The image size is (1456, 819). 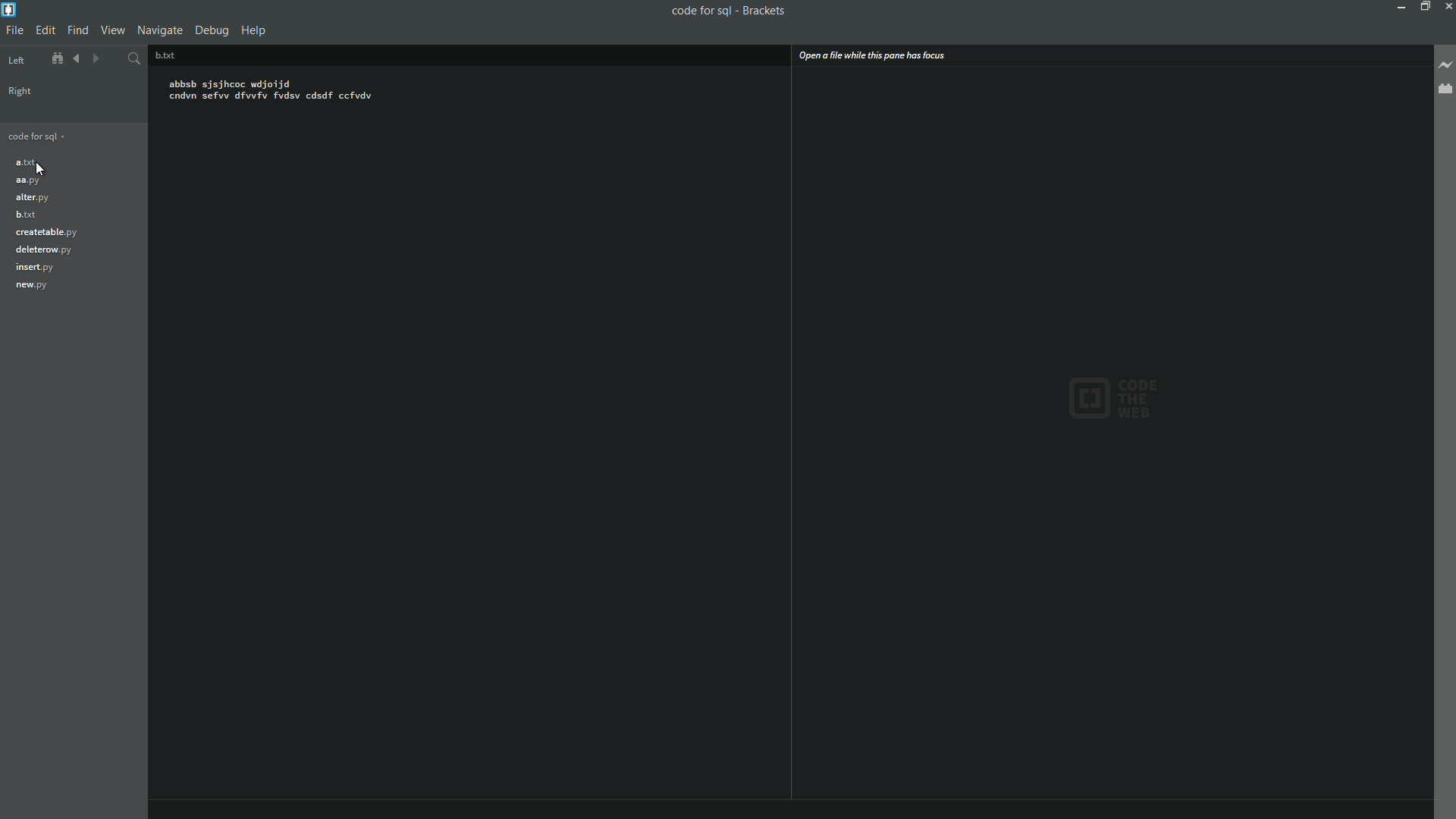 I want to click on edit menu, so click(x=45, y=30).